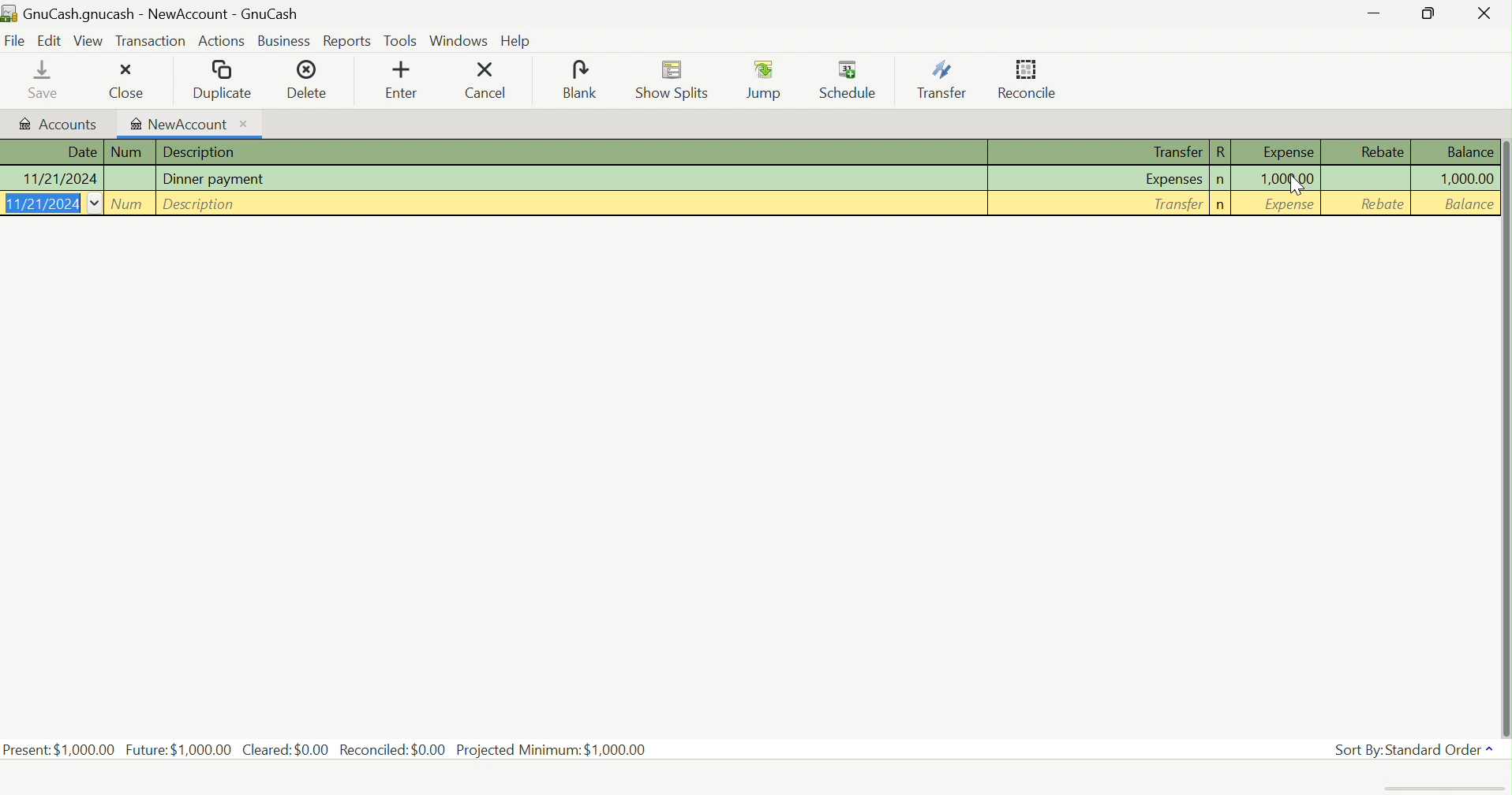  What do you see at coordinates (1290, 178) in the screenshot?
I see `1,000.00` at bounding box center [1290, 178].